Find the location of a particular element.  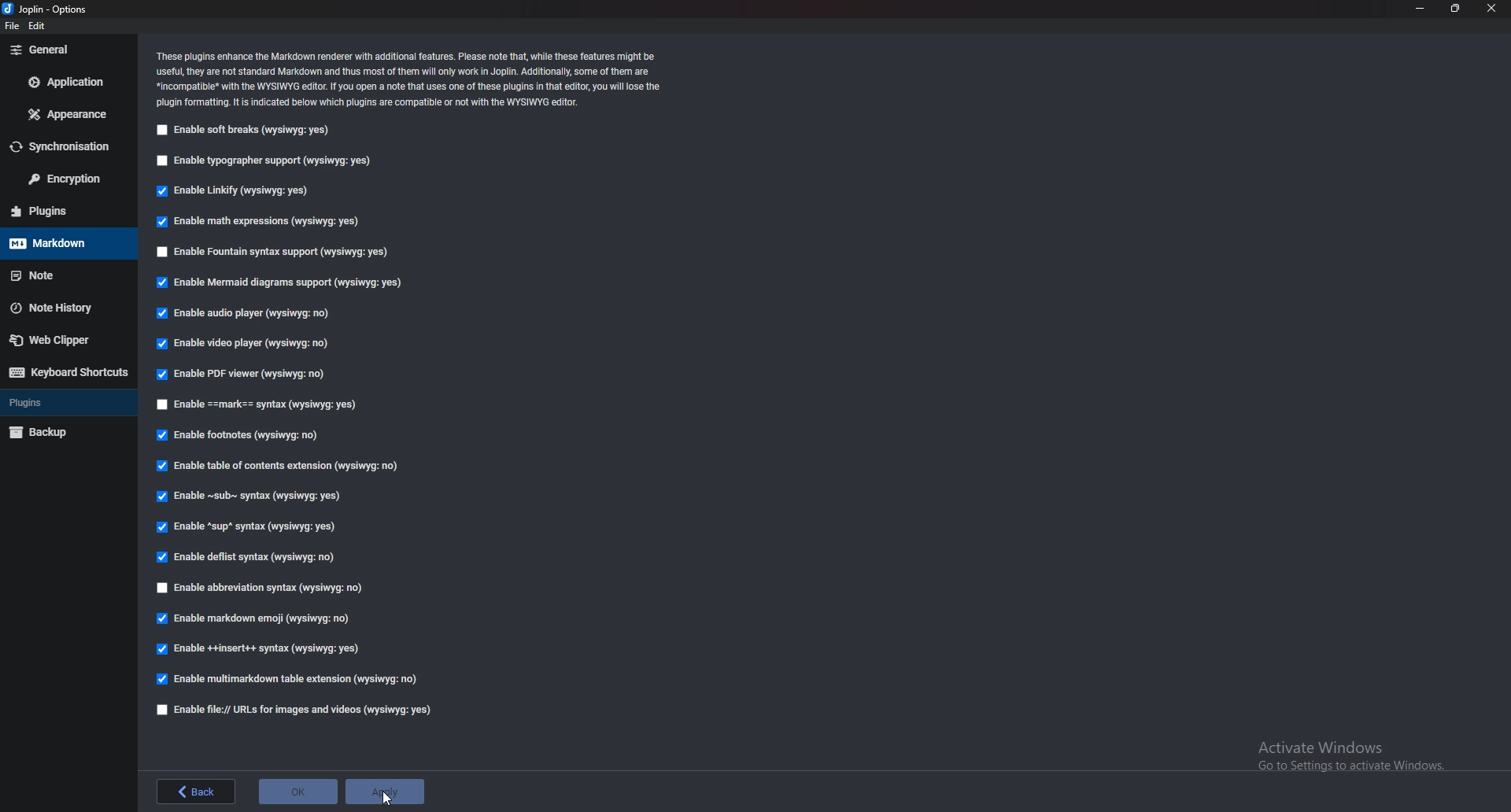

Backup is located at coordinates (64, 431).